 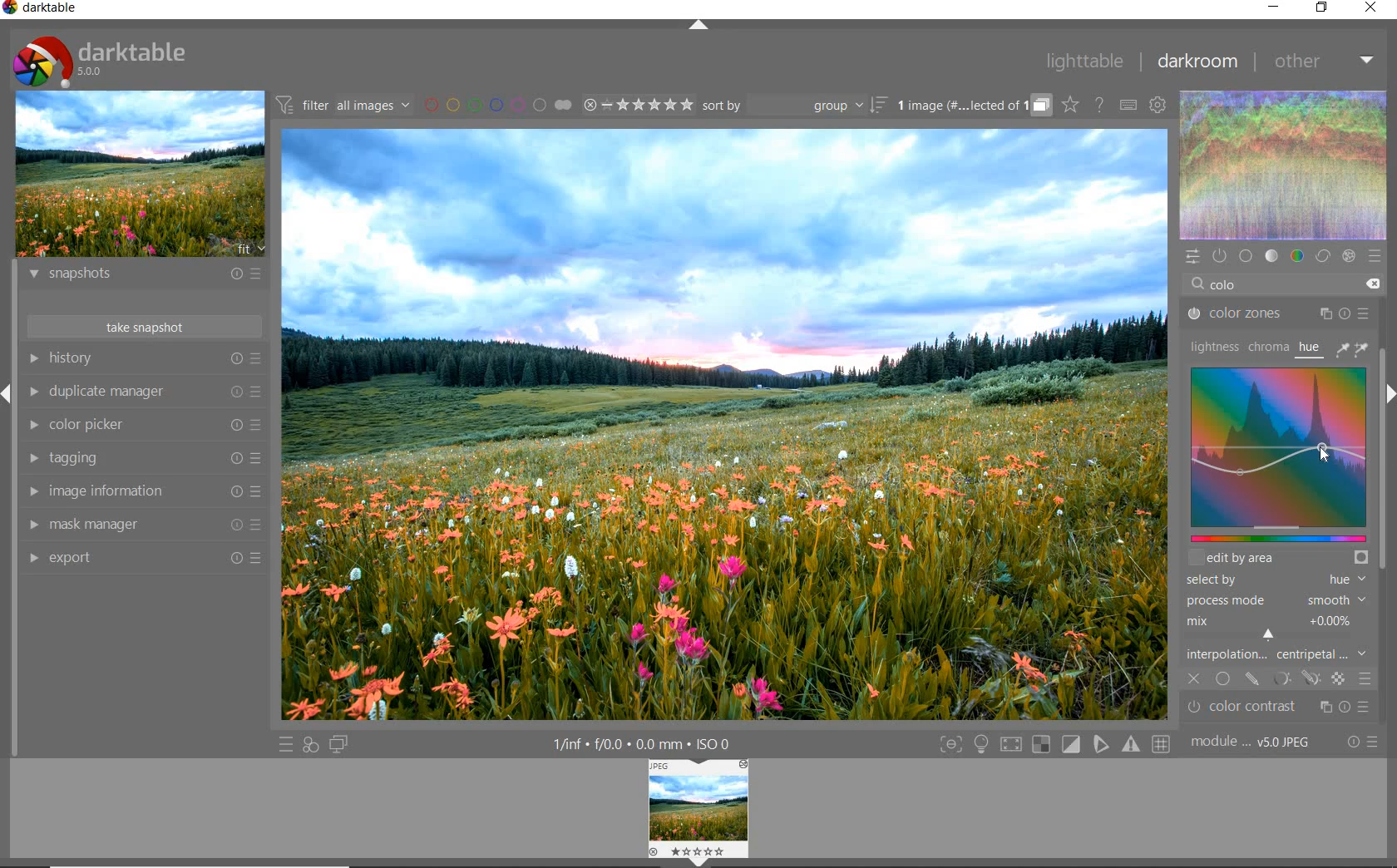 I want to click on show only active modules, so click(x=1218, y=254).